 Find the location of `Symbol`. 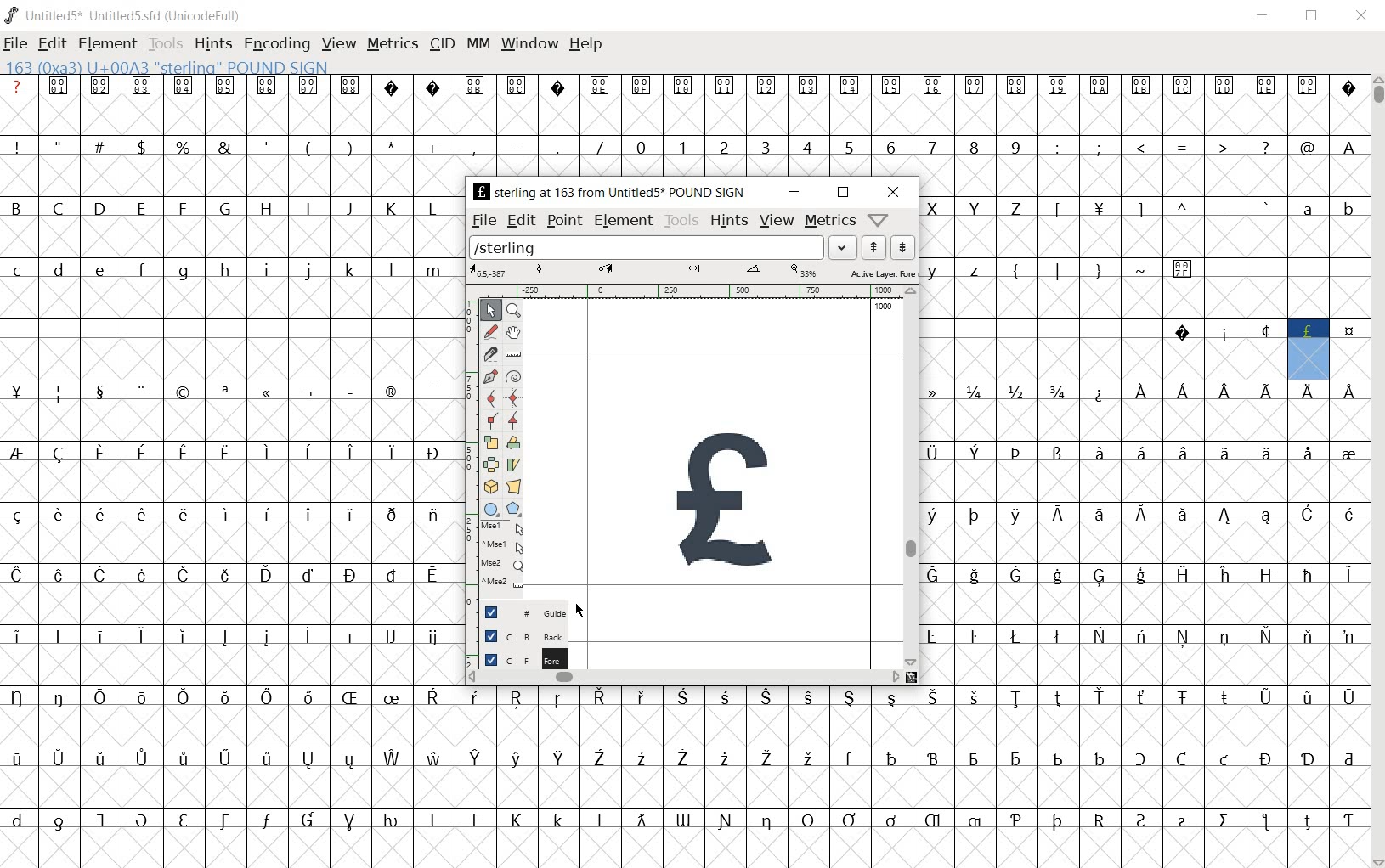

Symbol is located at coordinates (225, 699).